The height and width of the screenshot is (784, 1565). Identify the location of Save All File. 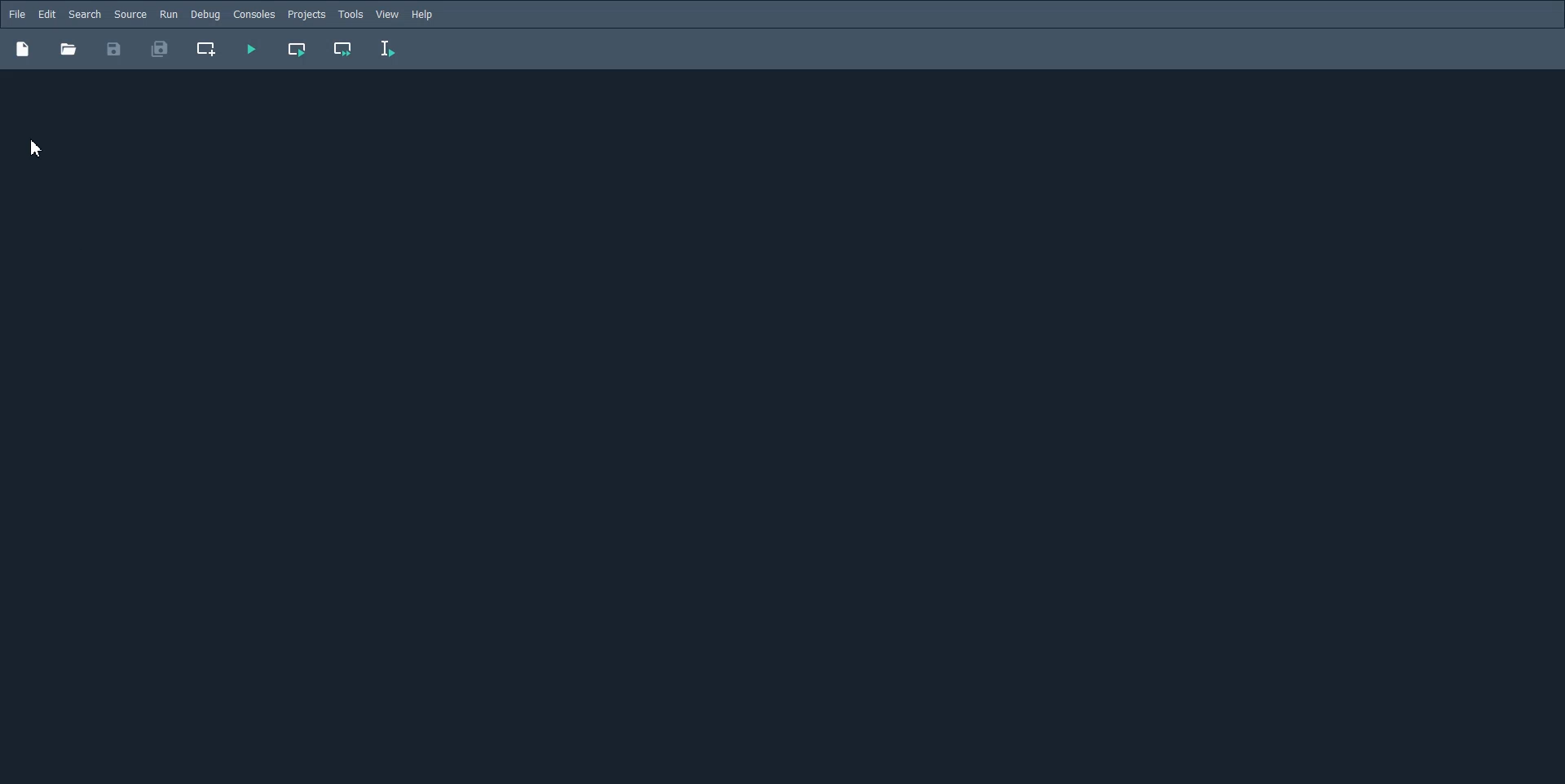
(158, 49).